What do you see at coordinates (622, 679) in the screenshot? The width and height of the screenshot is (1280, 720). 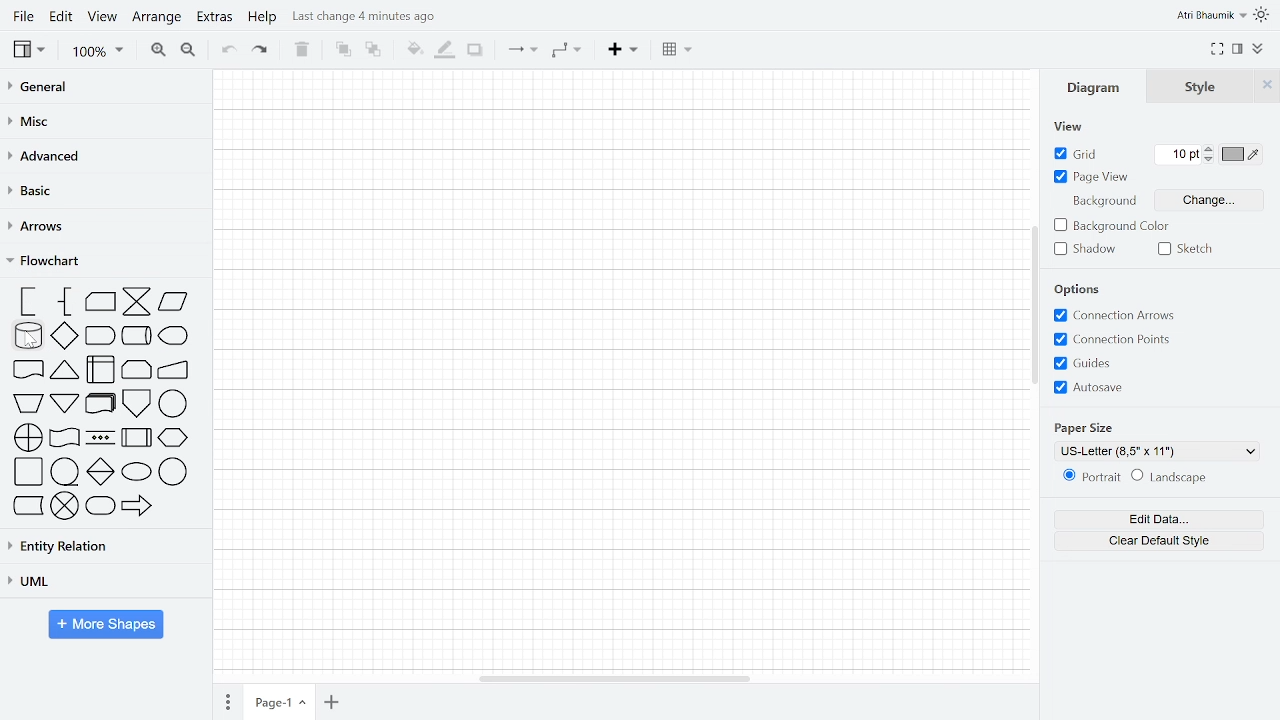 I see `horizontal scrollbar` at bounding box center [622, 679].